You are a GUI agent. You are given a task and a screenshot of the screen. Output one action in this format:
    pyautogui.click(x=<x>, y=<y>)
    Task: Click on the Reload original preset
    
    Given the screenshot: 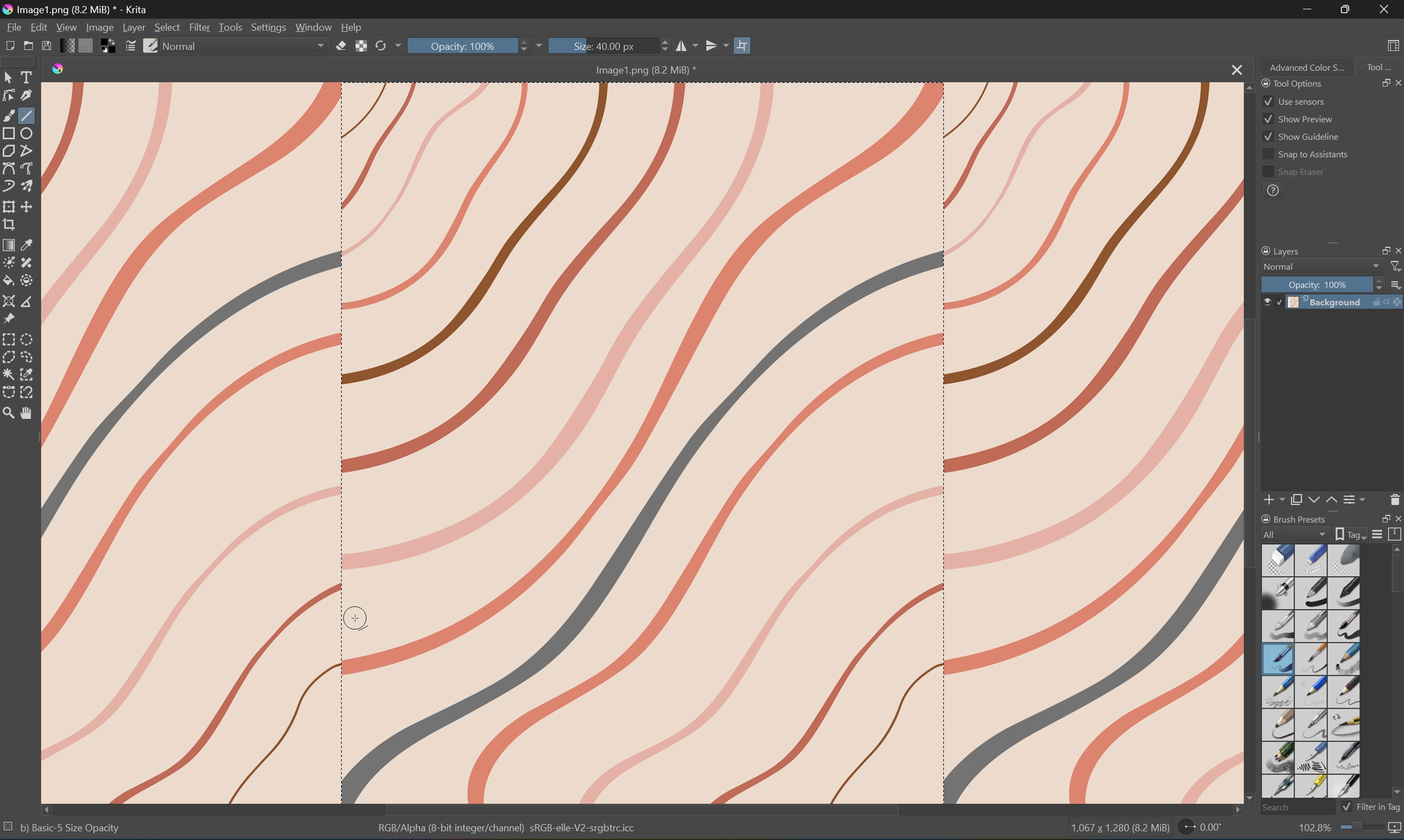 What is the action you would take?
    pyautogui.click(x=380, y=46)
    